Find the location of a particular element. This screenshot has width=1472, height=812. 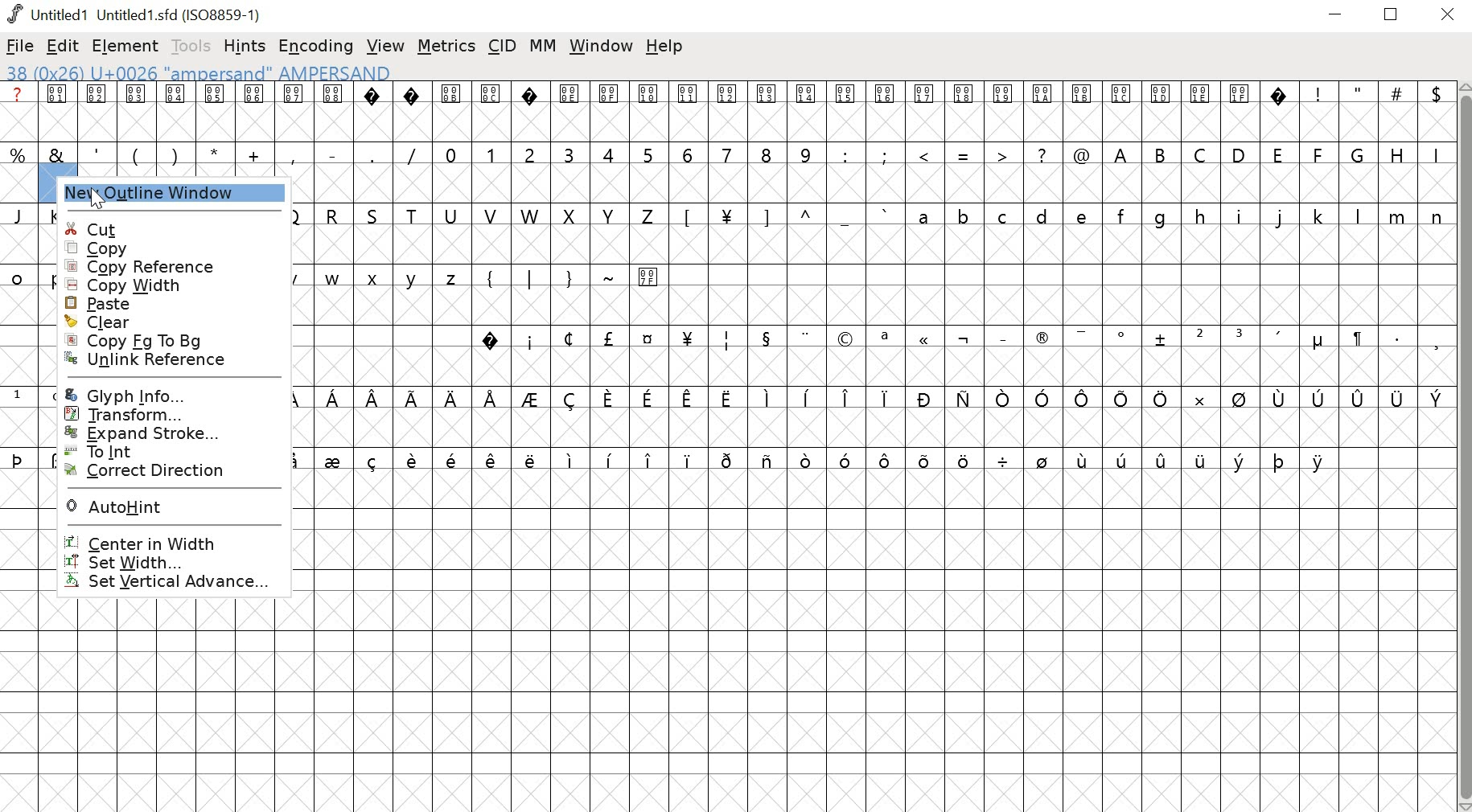

symbol is located at coordinates (413, 397).